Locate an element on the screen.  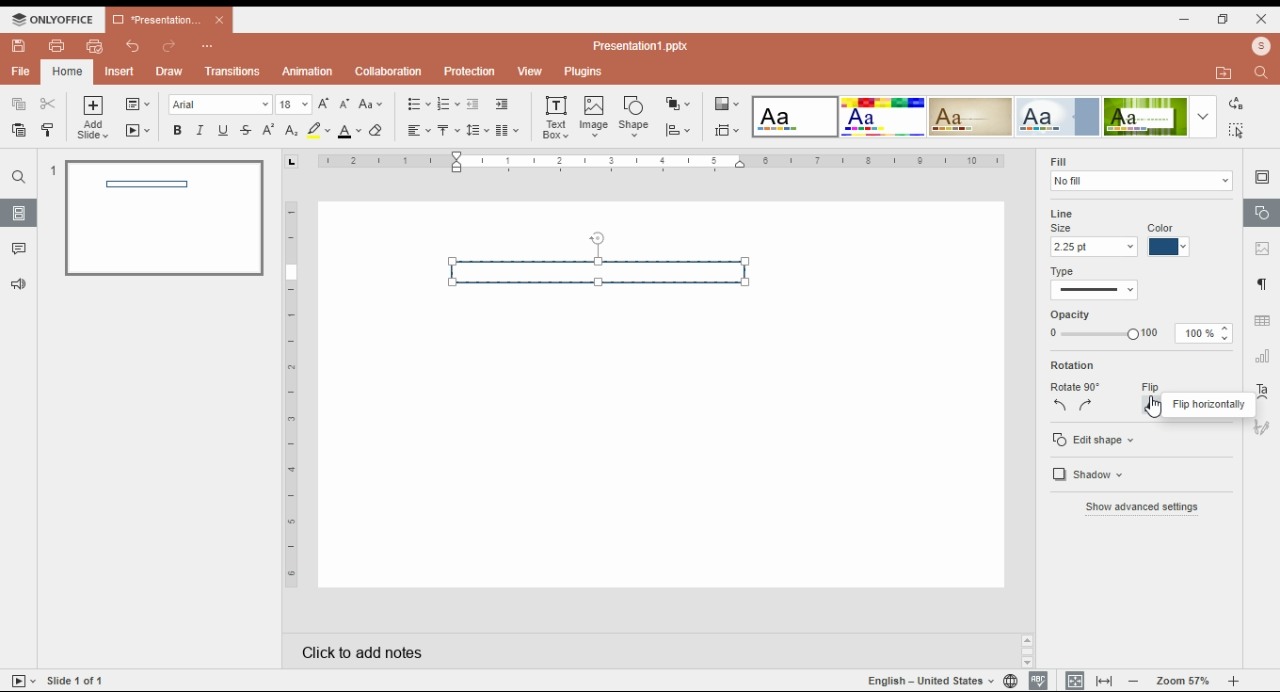
Ruler is located at coordinates (291, 394).